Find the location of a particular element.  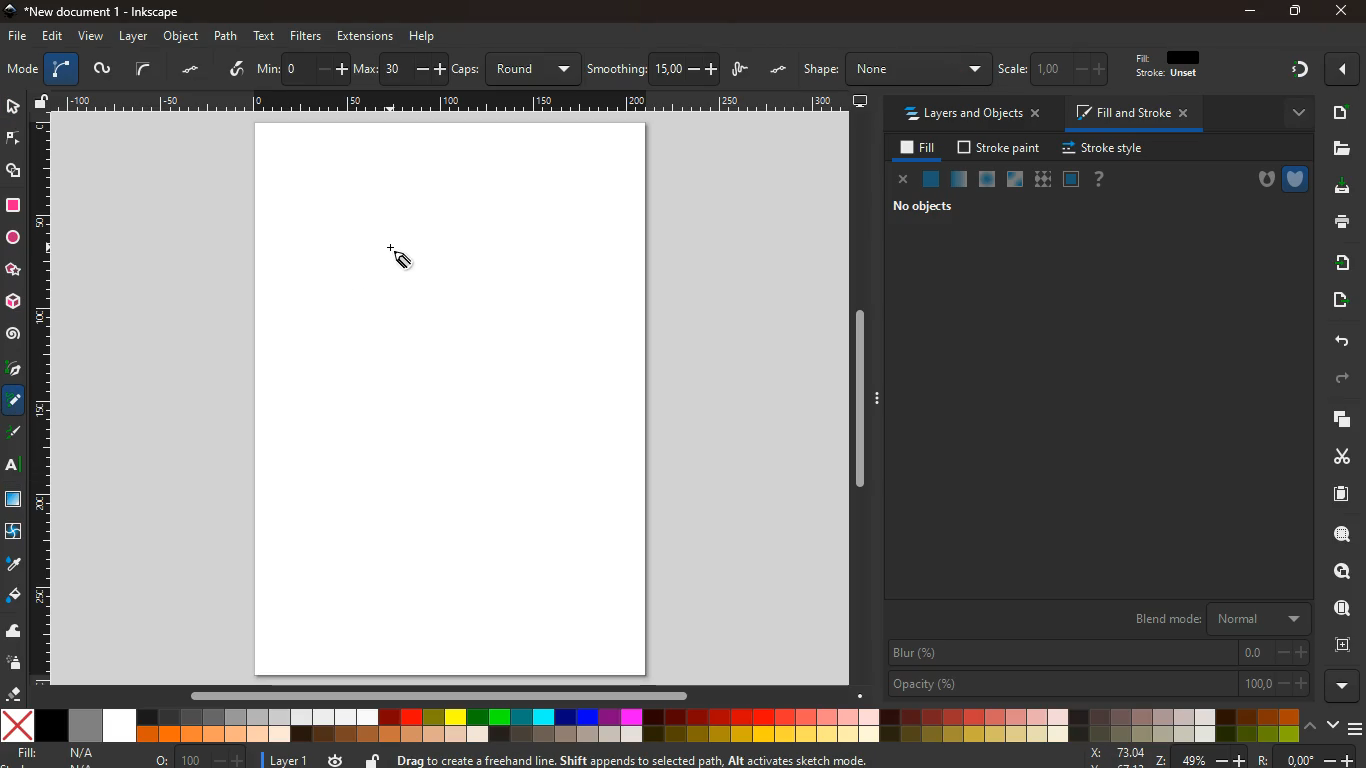

shapes is located at coordinates (15, 172).